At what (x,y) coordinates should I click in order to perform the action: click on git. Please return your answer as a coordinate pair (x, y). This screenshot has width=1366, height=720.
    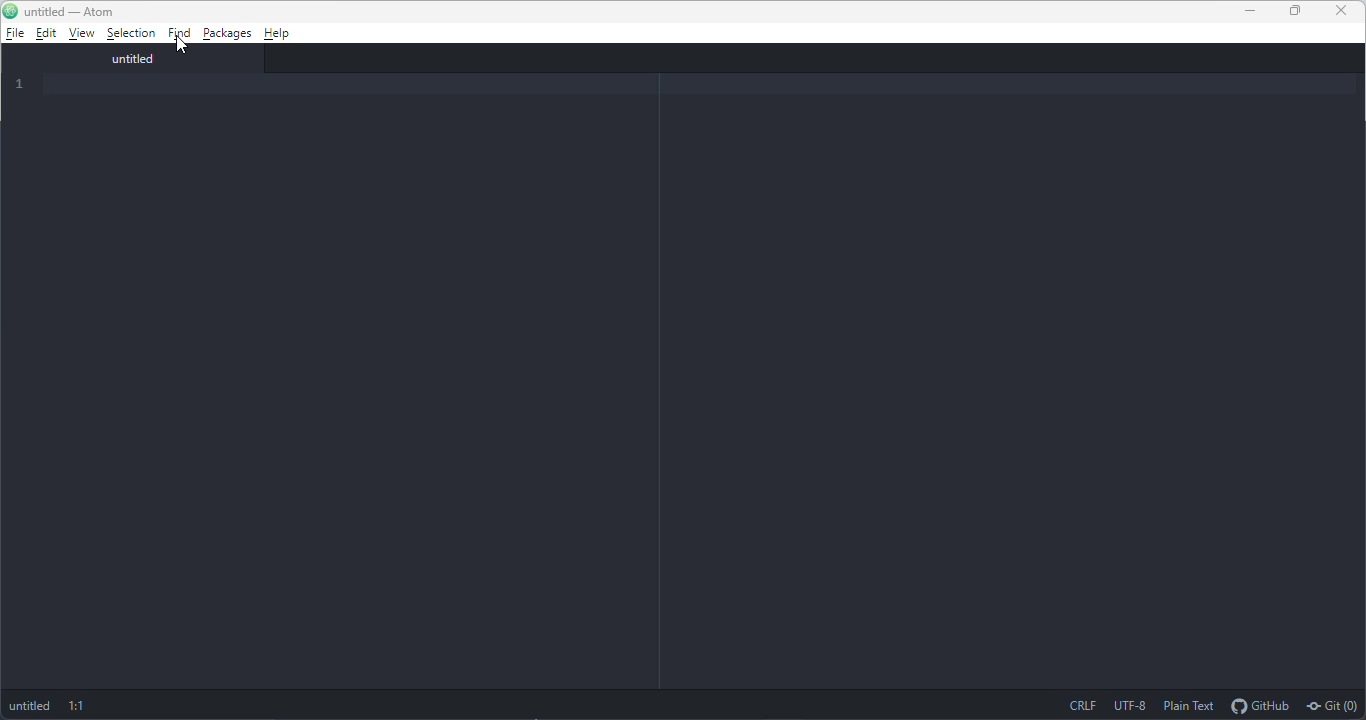
    Looking at the image, I should click on (1334, 705).